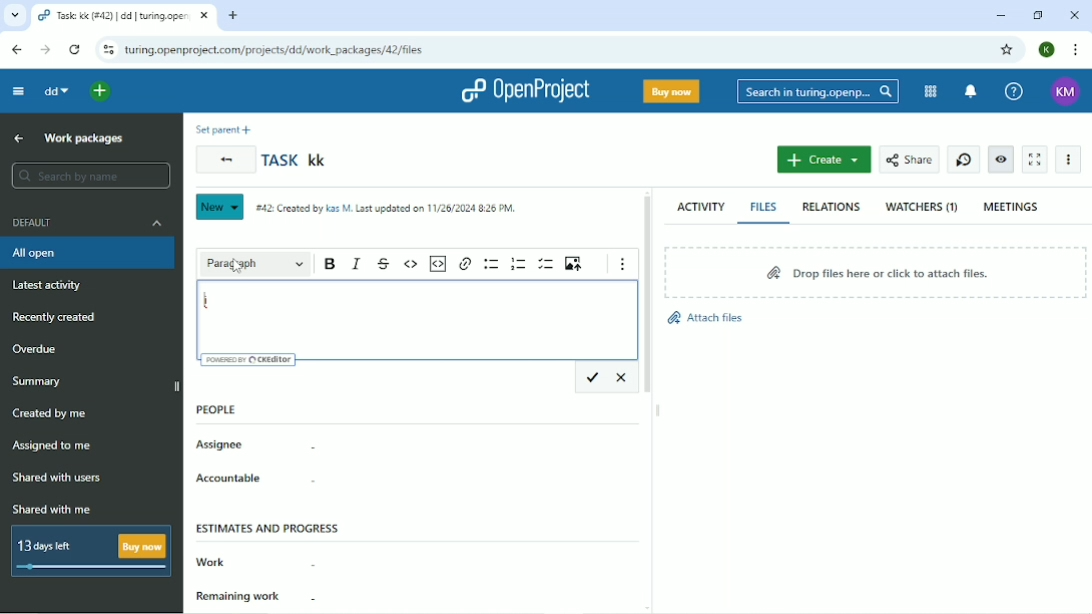  I want to click on Open quick add menu, so click(101, 92).